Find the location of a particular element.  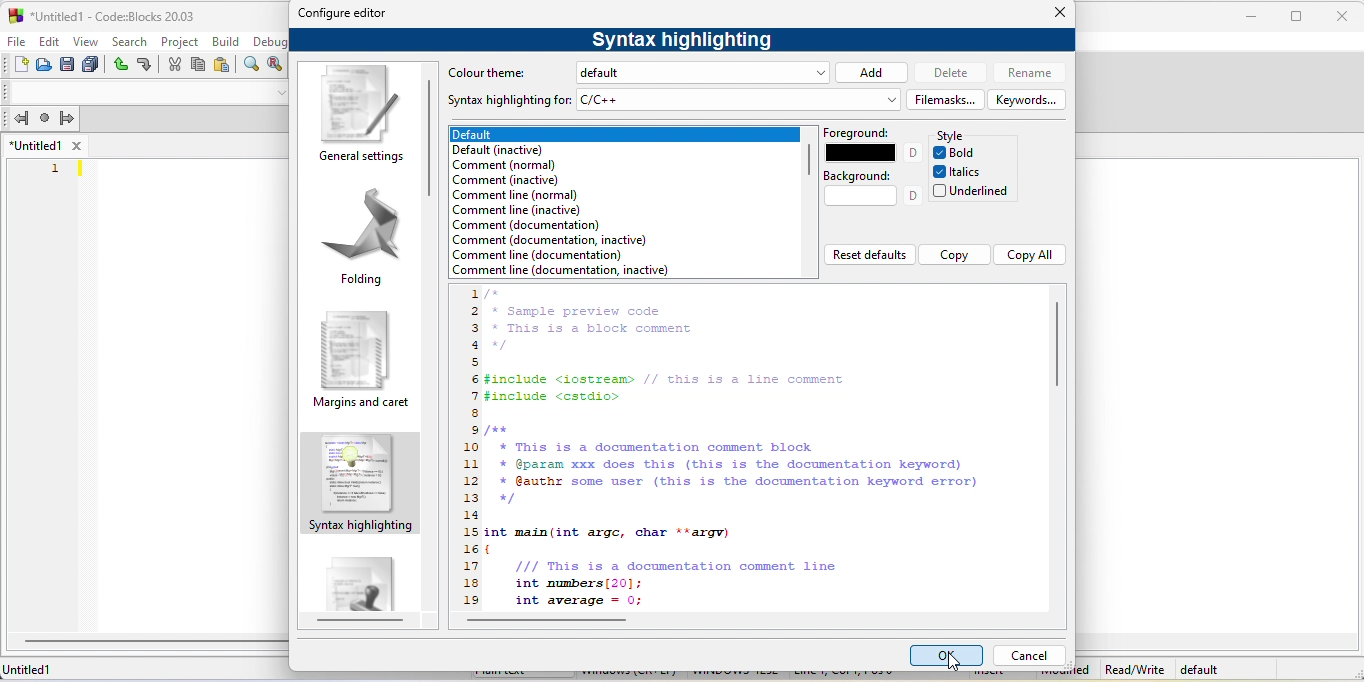

close is located at coordinates (75, 145).